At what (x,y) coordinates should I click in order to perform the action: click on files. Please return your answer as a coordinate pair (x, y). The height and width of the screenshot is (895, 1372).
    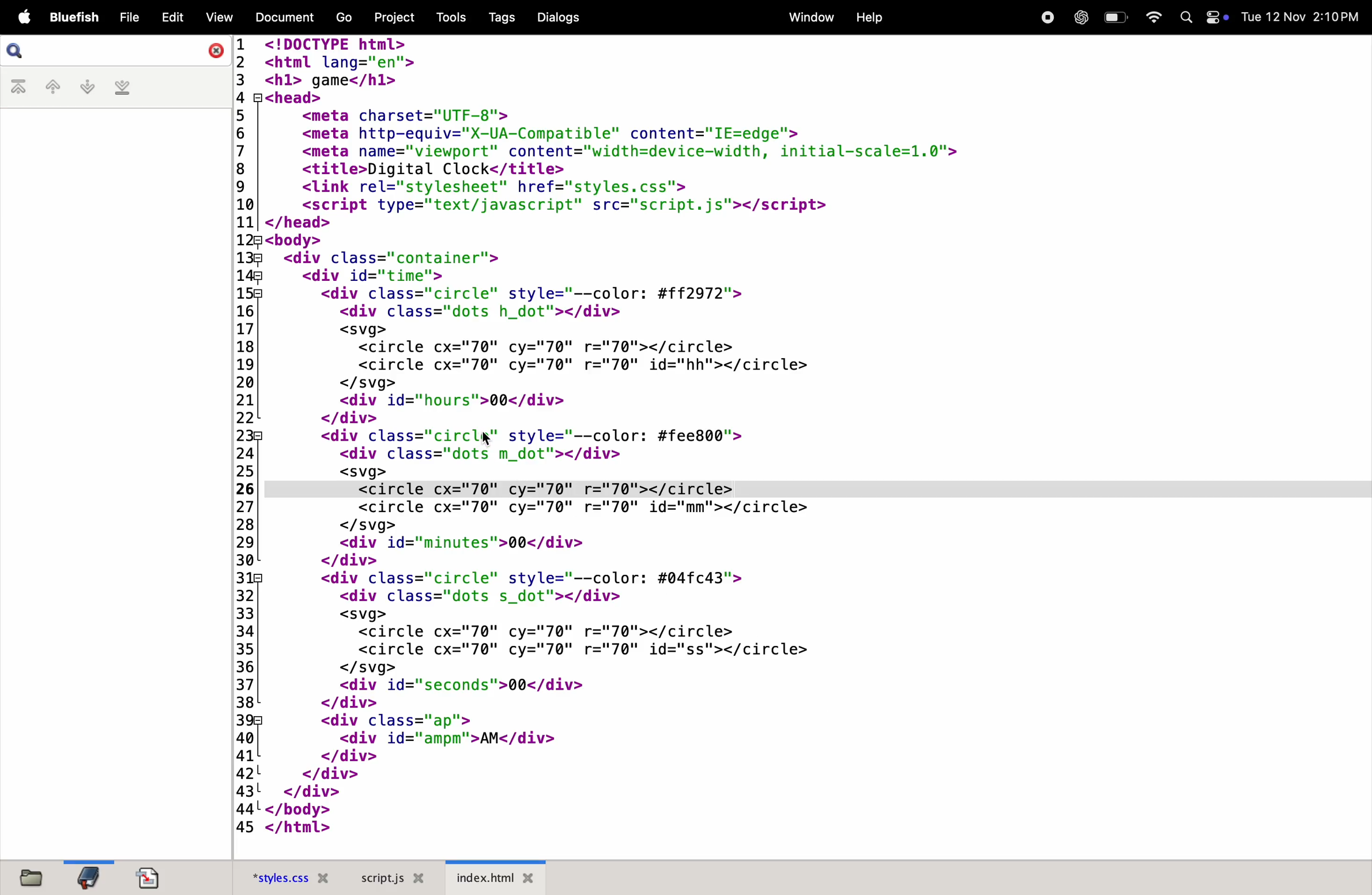
    Looking at the image, I should click on (29, 876).